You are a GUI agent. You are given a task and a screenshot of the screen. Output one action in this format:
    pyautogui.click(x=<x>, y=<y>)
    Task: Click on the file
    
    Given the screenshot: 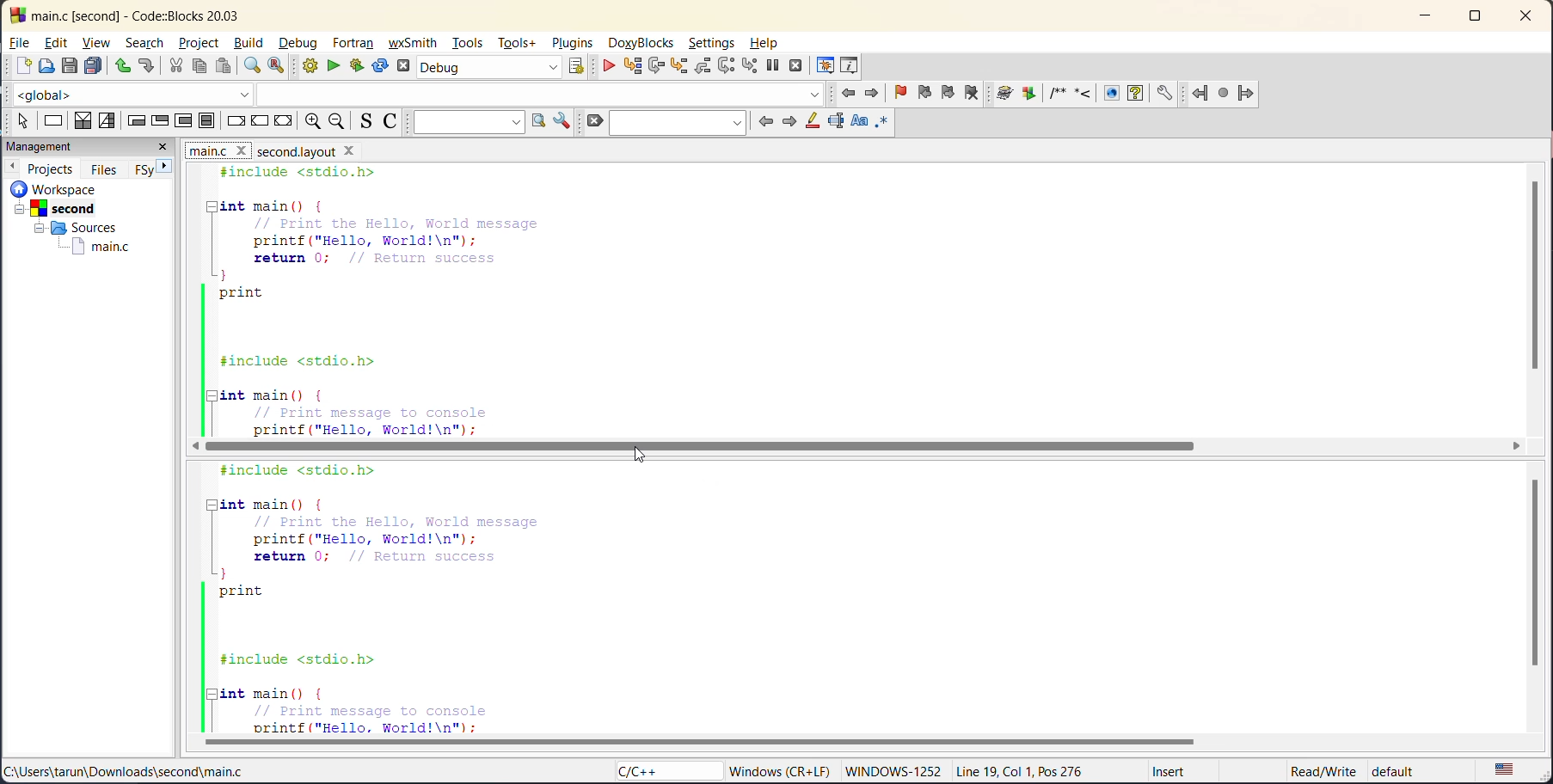 What is the action you would take?
    pyautogui.click(x=20, y=41)
    